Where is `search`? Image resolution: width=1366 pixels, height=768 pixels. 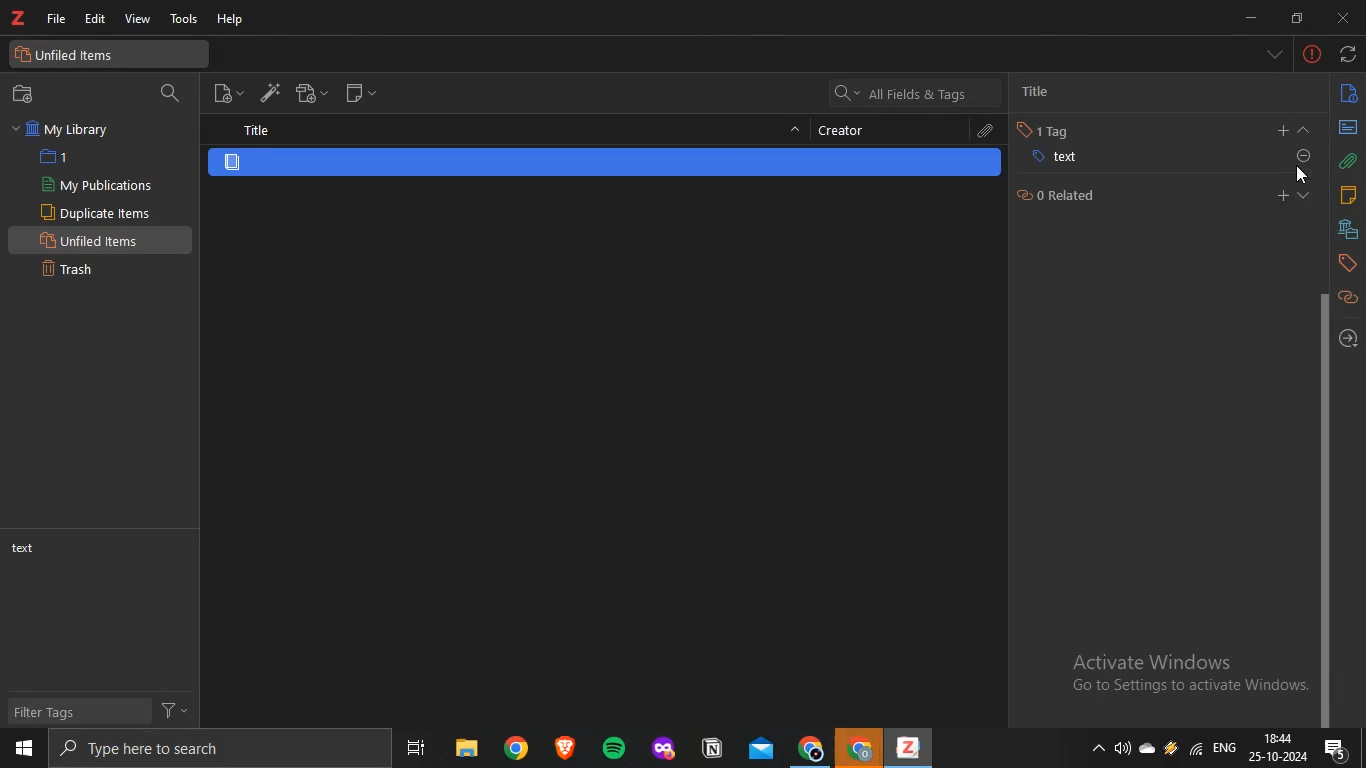 search is located at coordinates (170, 93).